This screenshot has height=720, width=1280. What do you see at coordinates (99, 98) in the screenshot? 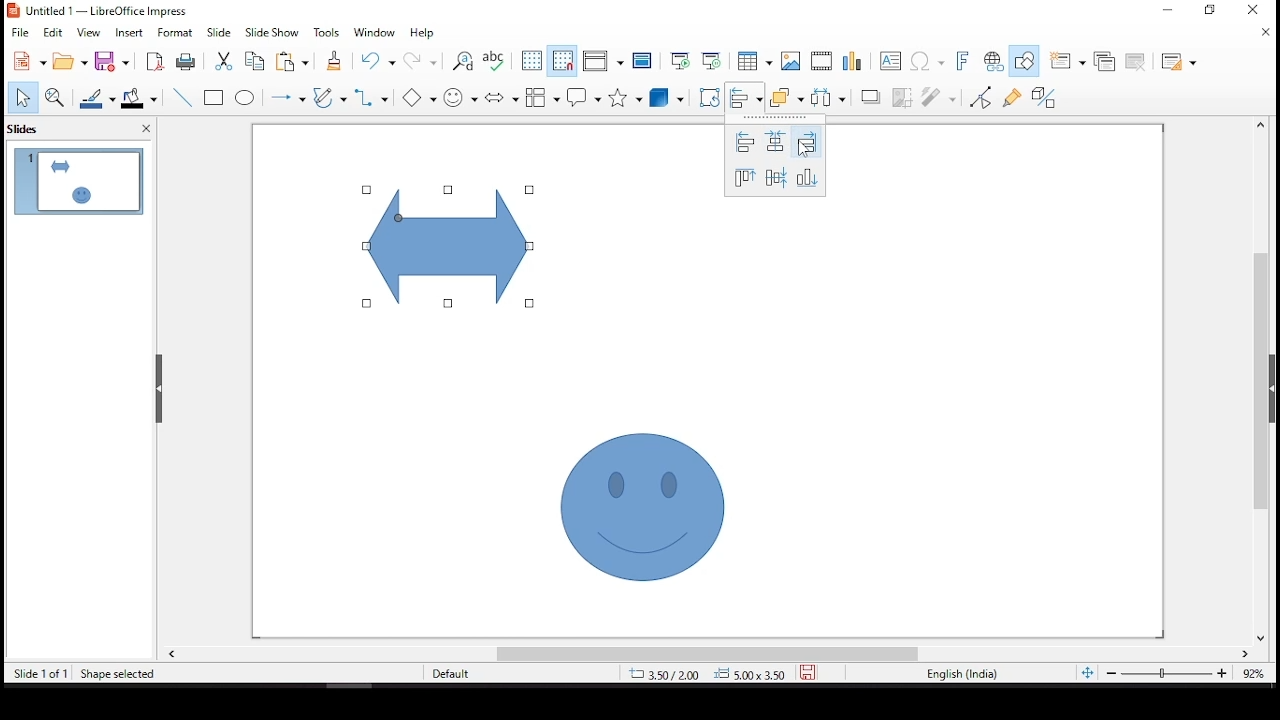
I see `line color` at bounding box center [99, 98].